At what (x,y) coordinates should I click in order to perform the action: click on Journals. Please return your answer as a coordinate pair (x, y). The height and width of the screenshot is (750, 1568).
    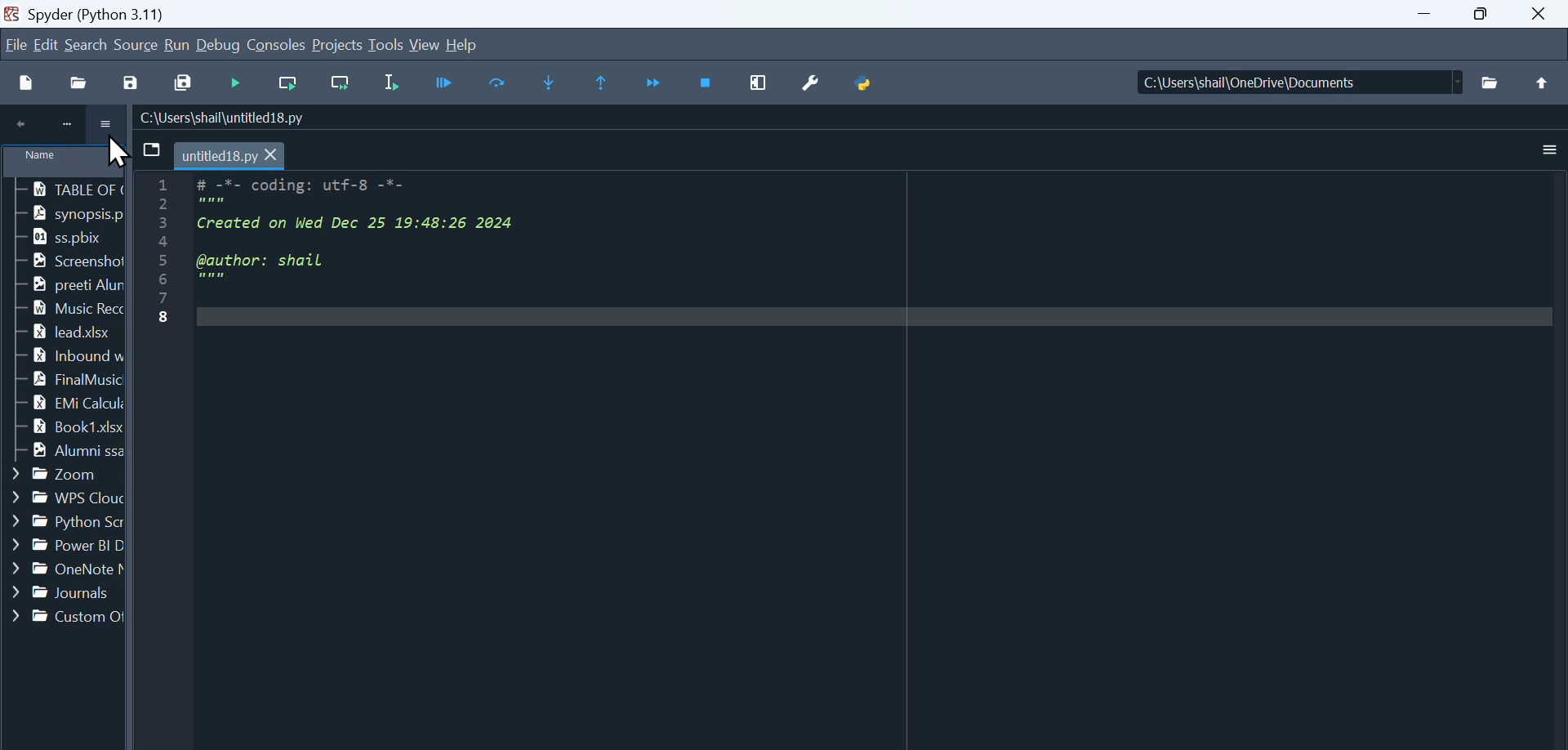
    Looking at the image, I should click on (62, 593).